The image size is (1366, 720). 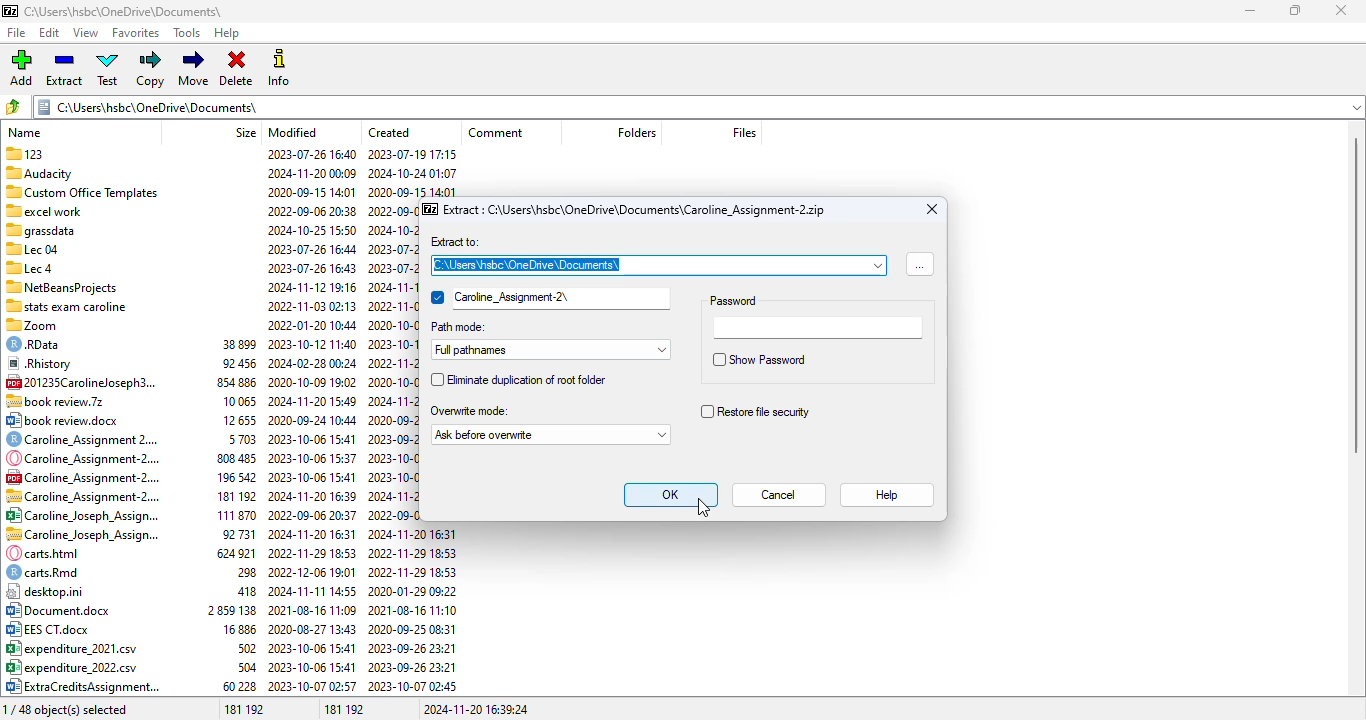 I want to click on info, so click(x=278, y=68).